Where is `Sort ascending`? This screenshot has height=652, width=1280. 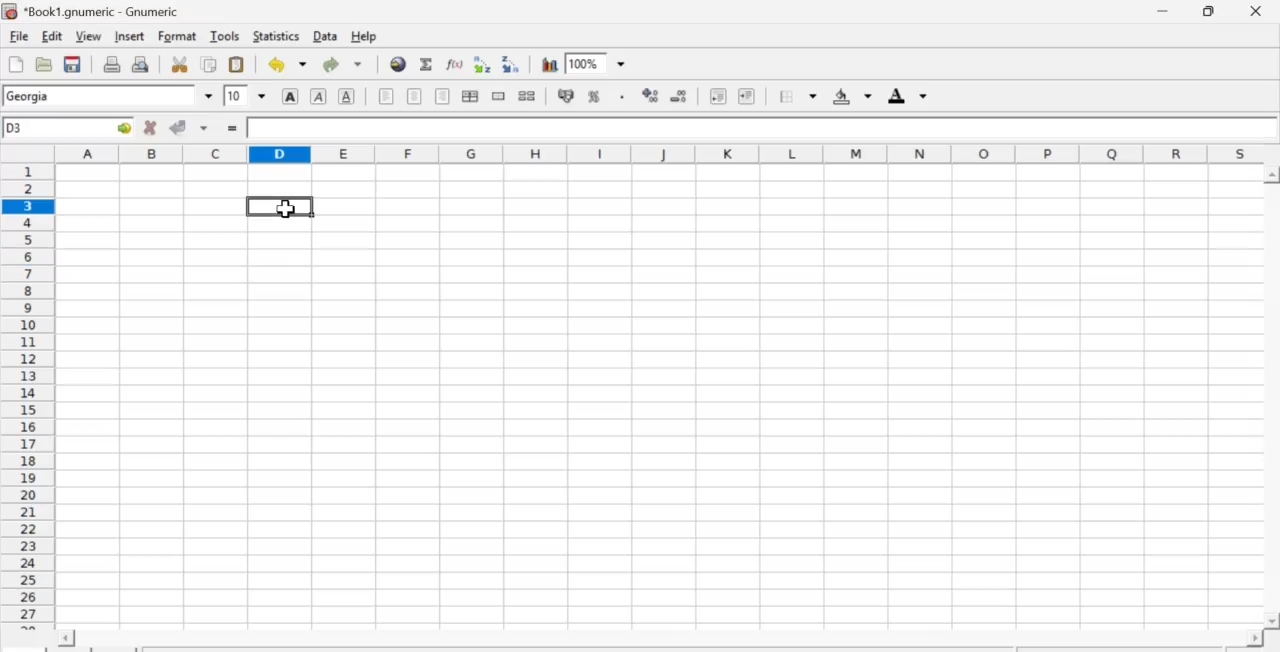 Sort ascending is located at coordinates (482, 65).